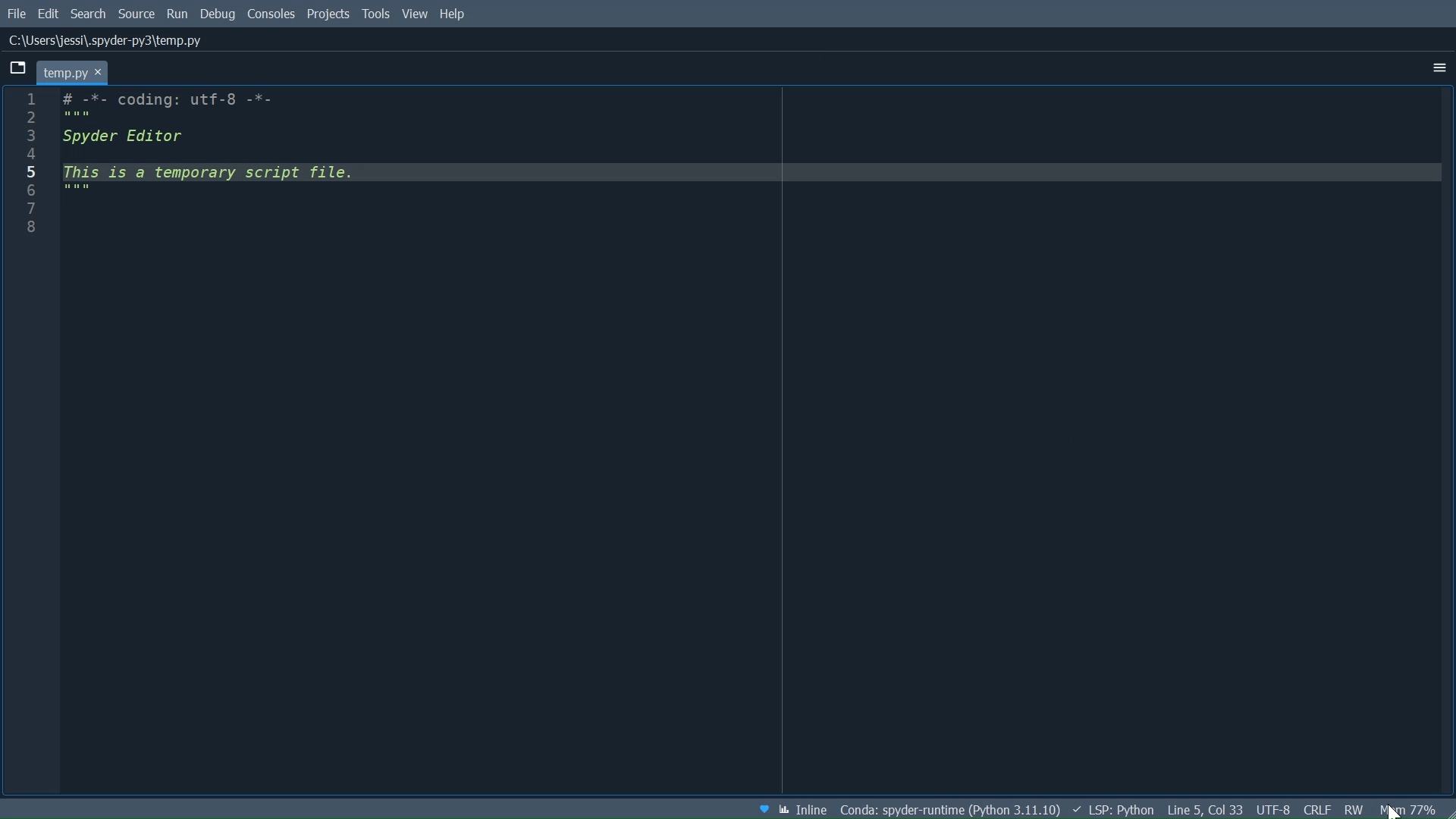 This screenshot has width=1456, height=819. I want to click on More Options, so click(1439, 67).